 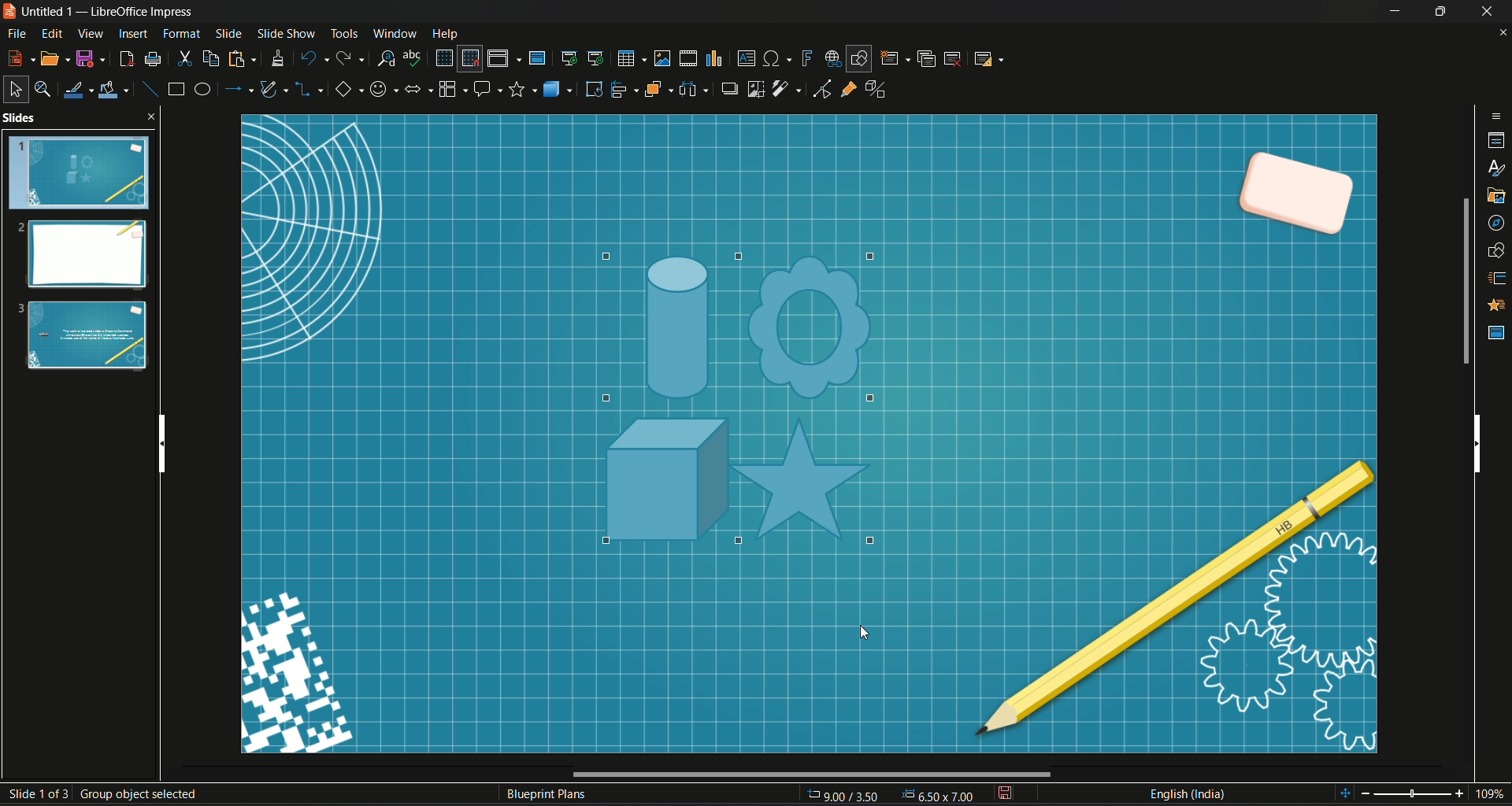 I want to click on select image, so click(x=693, y=87).